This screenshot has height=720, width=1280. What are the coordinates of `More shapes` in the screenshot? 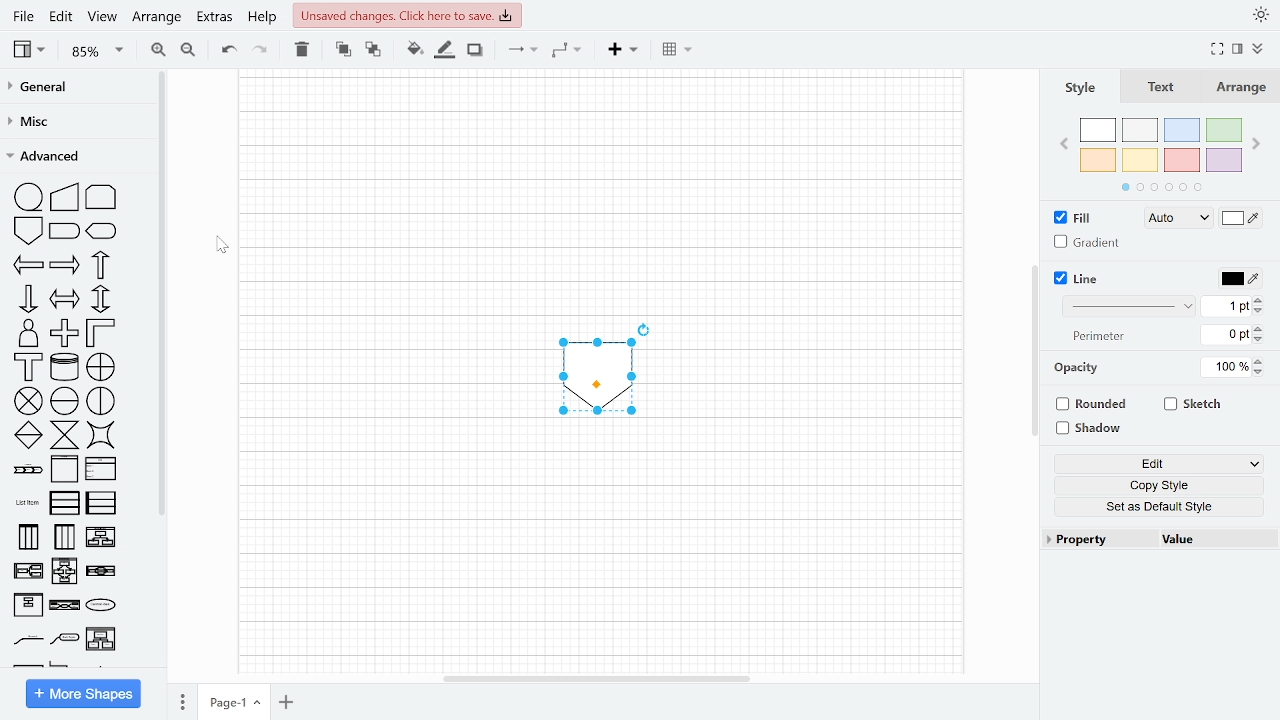 It's located at (82, 693).